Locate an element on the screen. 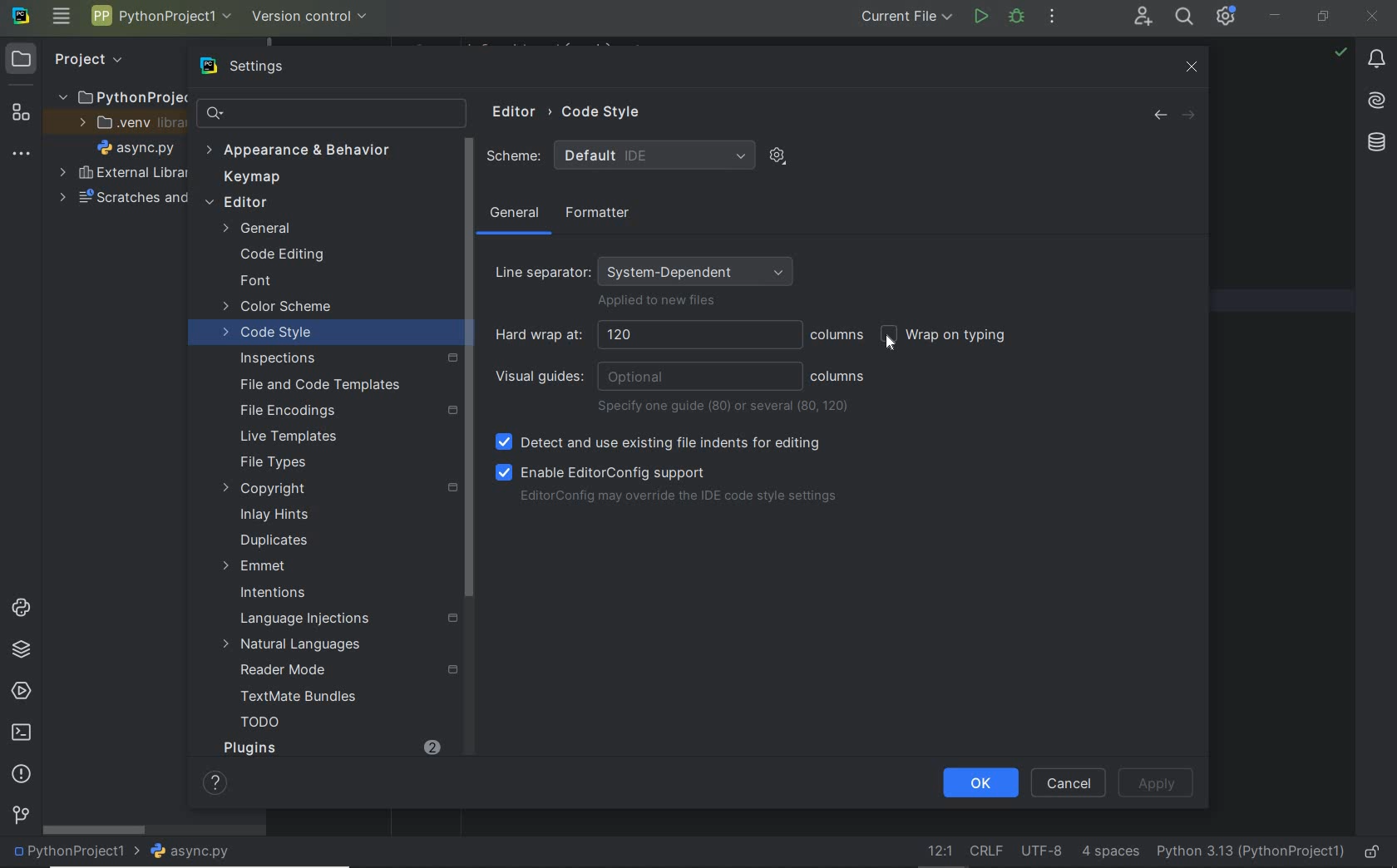 This screenshot has width=1397, height=868. File and Code Templates is located at coordinates (313, 384).